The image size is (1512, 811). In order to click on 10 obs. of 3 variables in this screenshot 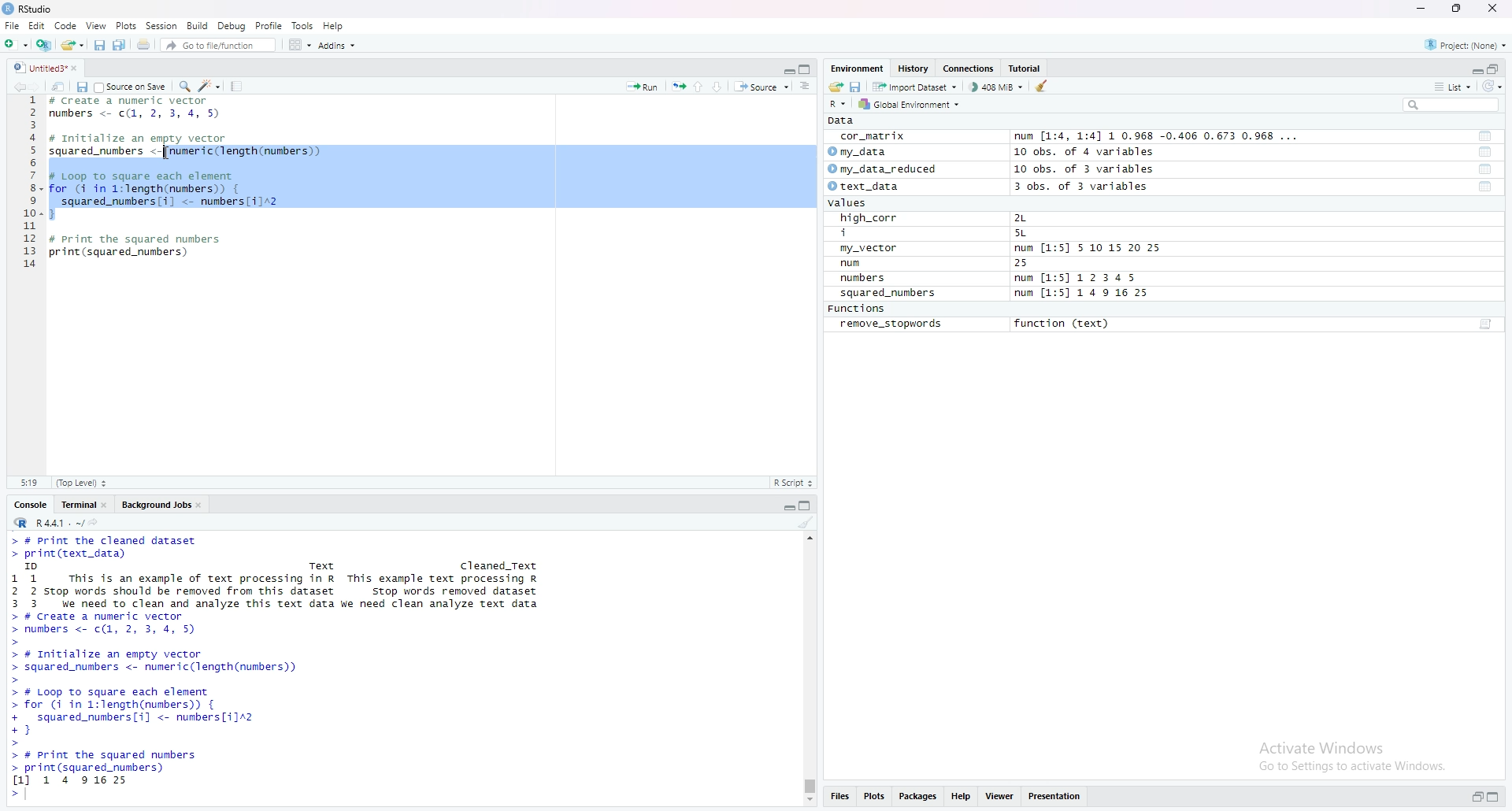, I will do `click(1084, 169)`.